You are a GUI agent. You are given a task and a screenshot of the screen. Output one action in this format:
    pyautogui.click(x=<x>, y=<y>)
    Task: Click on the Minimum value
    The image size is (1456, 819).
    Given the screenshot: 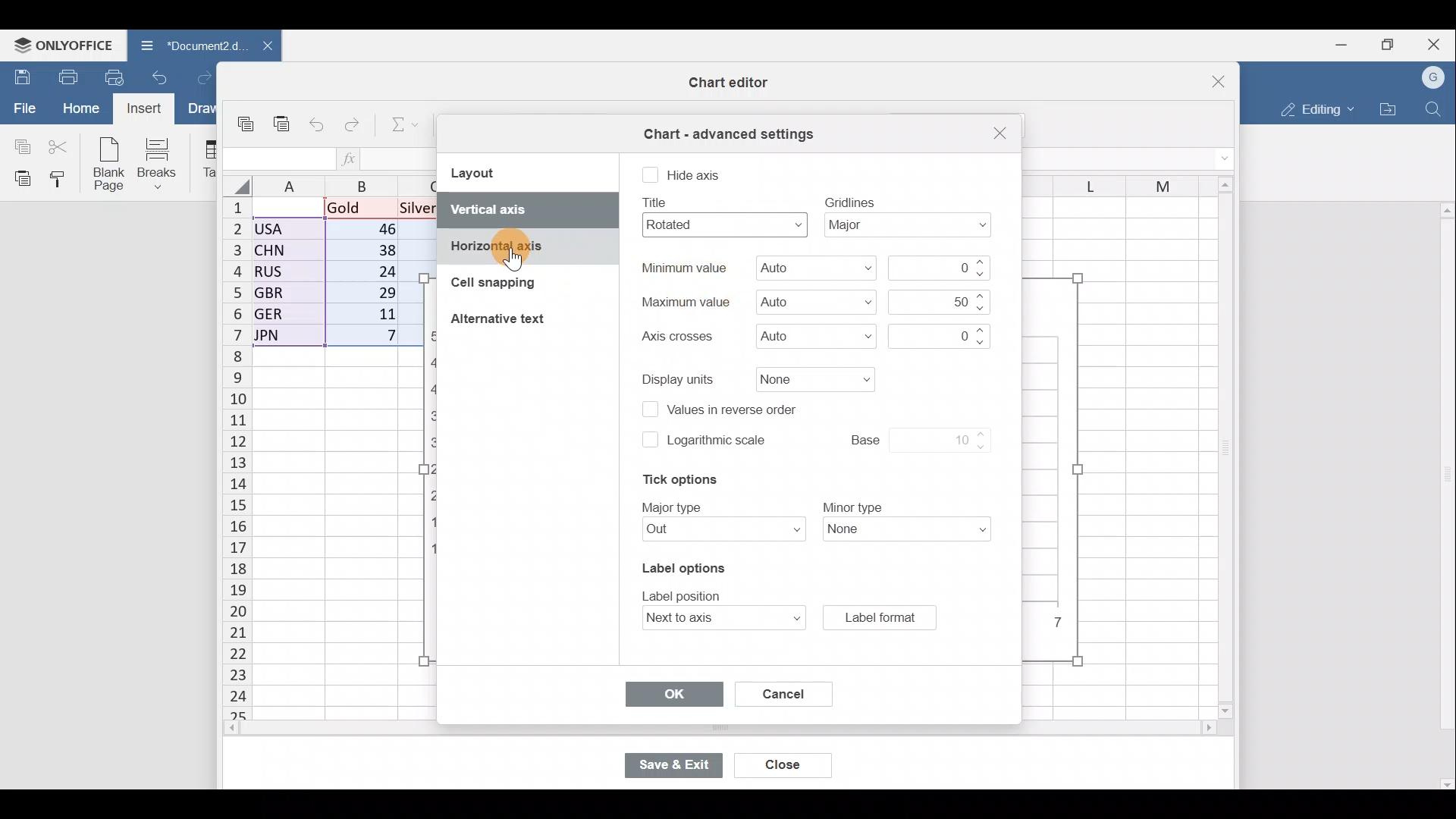 What is the action you would take?
    pyautogui.click(x=943, y=268)
    